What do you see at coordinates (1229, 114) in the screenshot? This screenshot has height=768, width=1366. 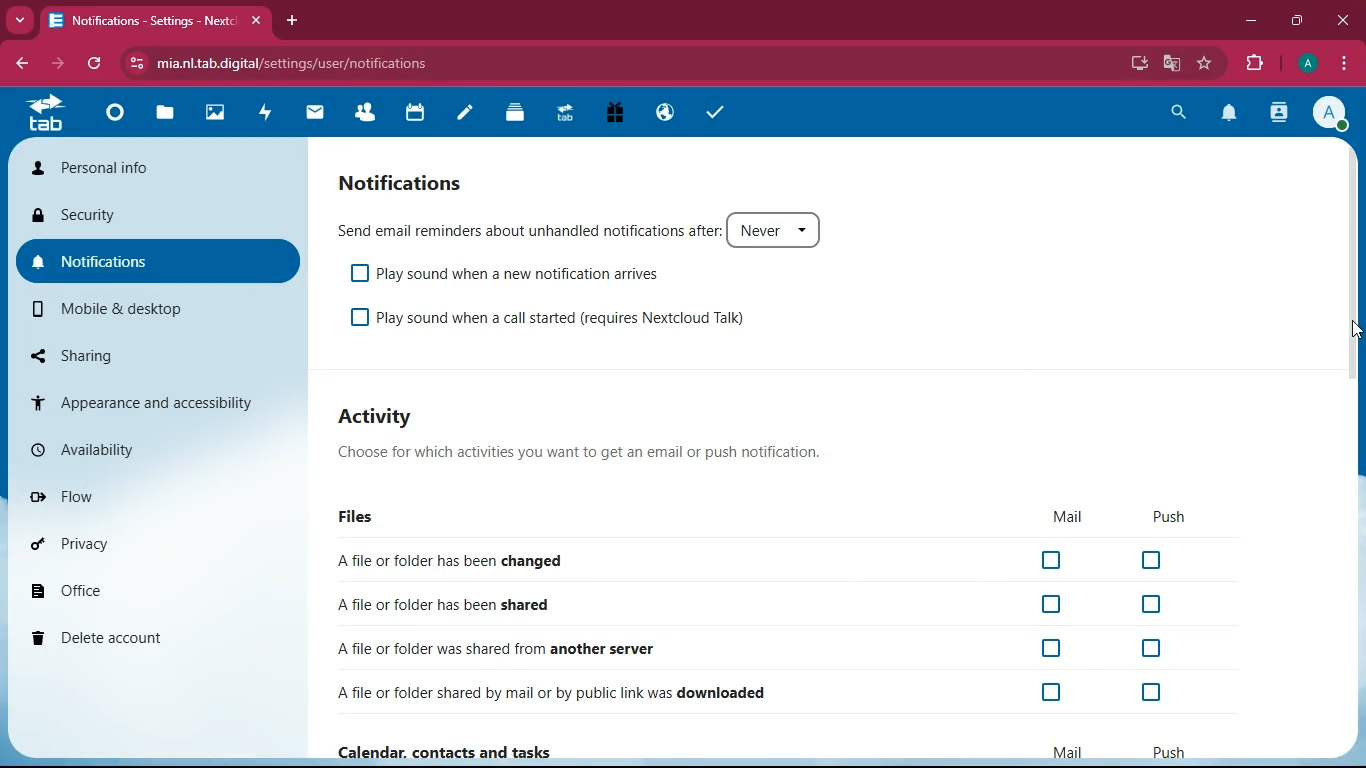 I see `notifications` at bounding box center [1229, 114].